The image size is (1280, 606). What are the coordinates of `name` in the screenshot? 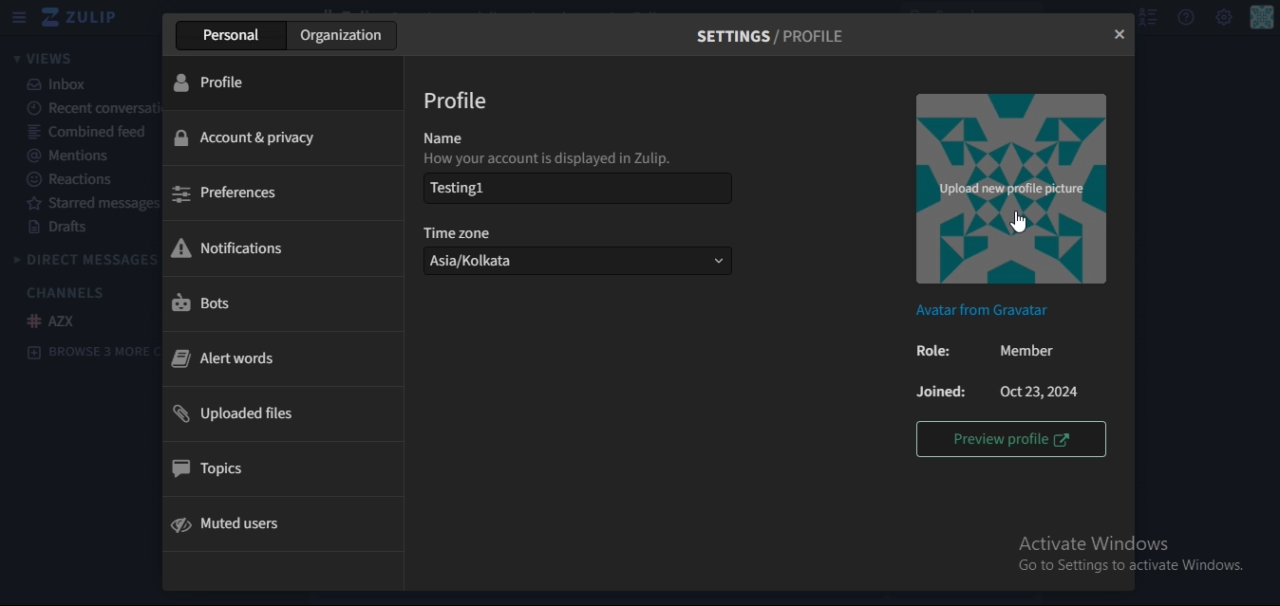 It's located at (449, 138).